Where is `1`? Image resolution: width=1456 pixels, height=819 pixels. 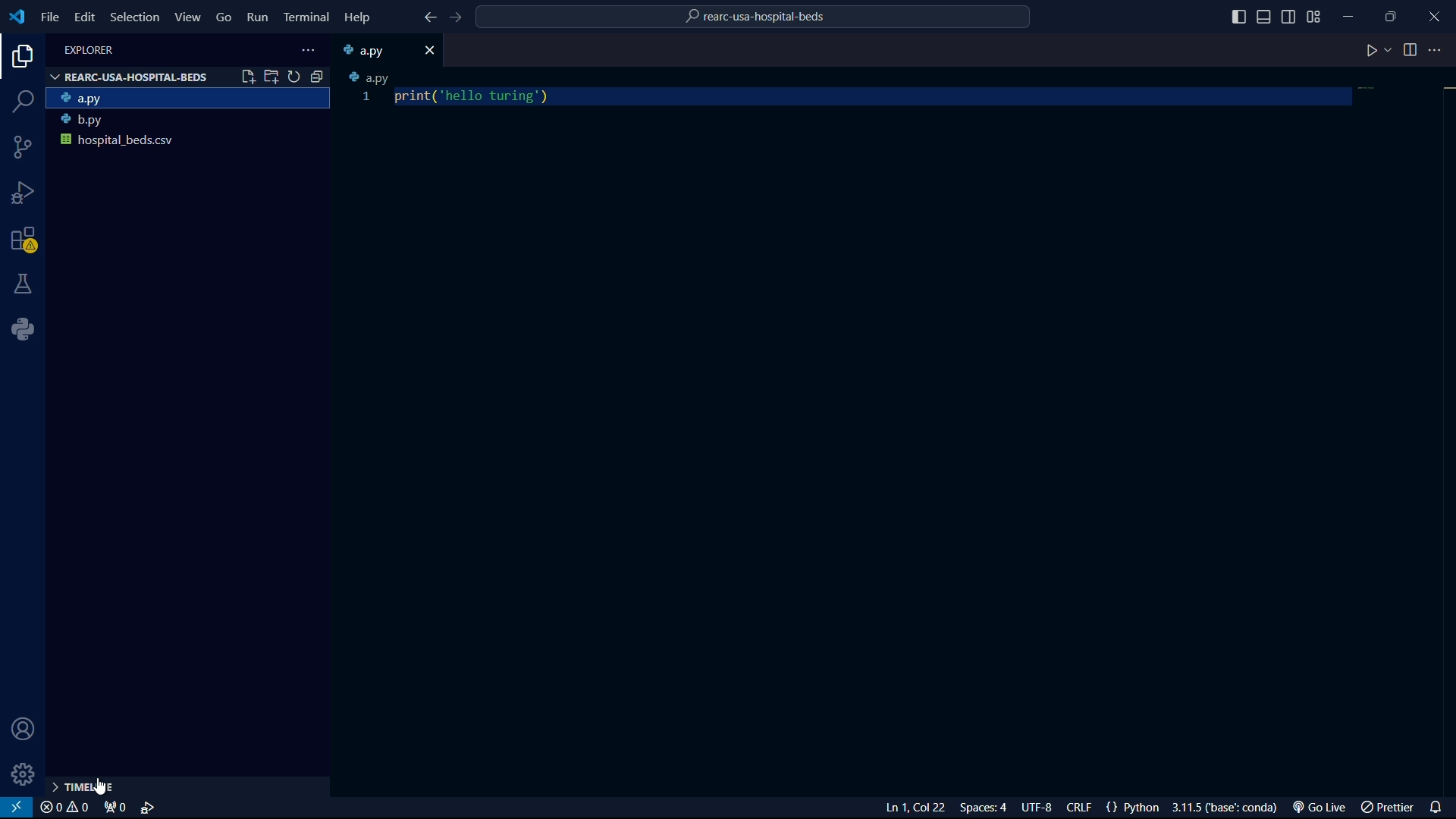
1 is located at coordinates (368, 99).